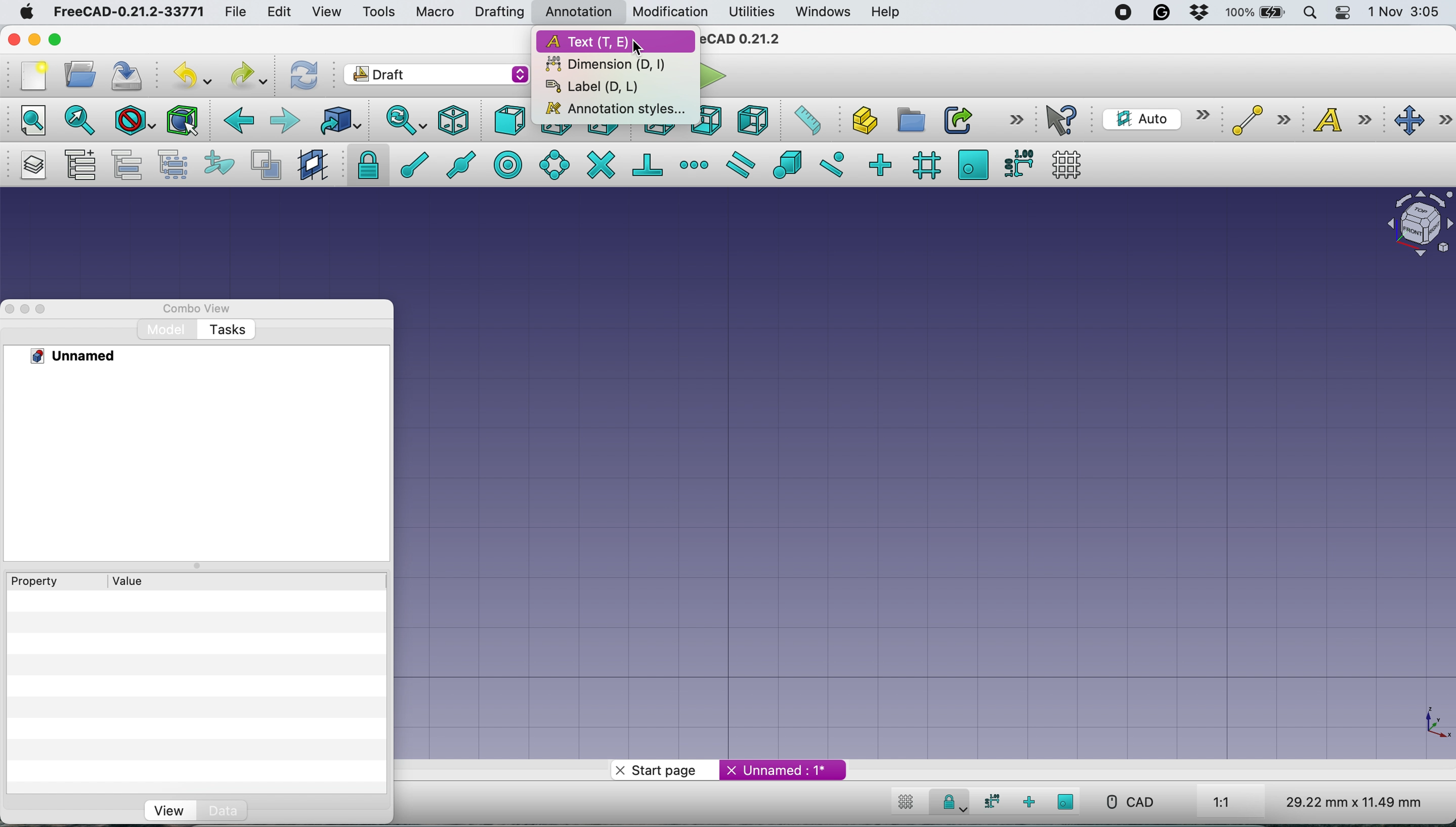  Describe the element at coordinates (33, 122) in the screenshot. I see `fit all` at that location.